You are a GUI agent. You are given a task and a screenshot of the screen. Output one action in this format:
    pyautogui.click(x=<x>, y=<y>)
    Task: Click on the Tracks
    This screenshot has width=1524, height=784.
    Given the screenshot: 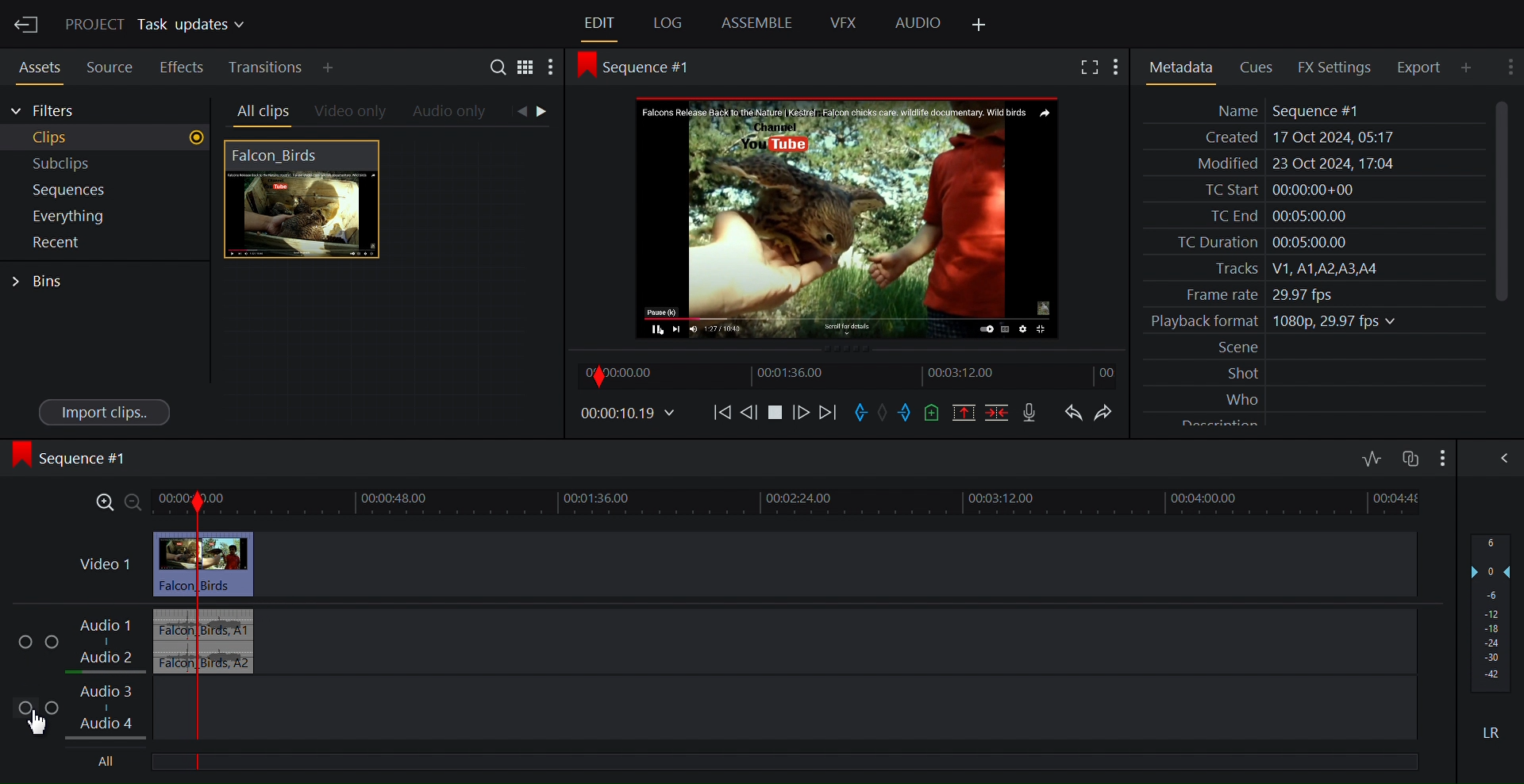 What is the action you would take?
    pyautogui.click(x=1312, y=269)
    